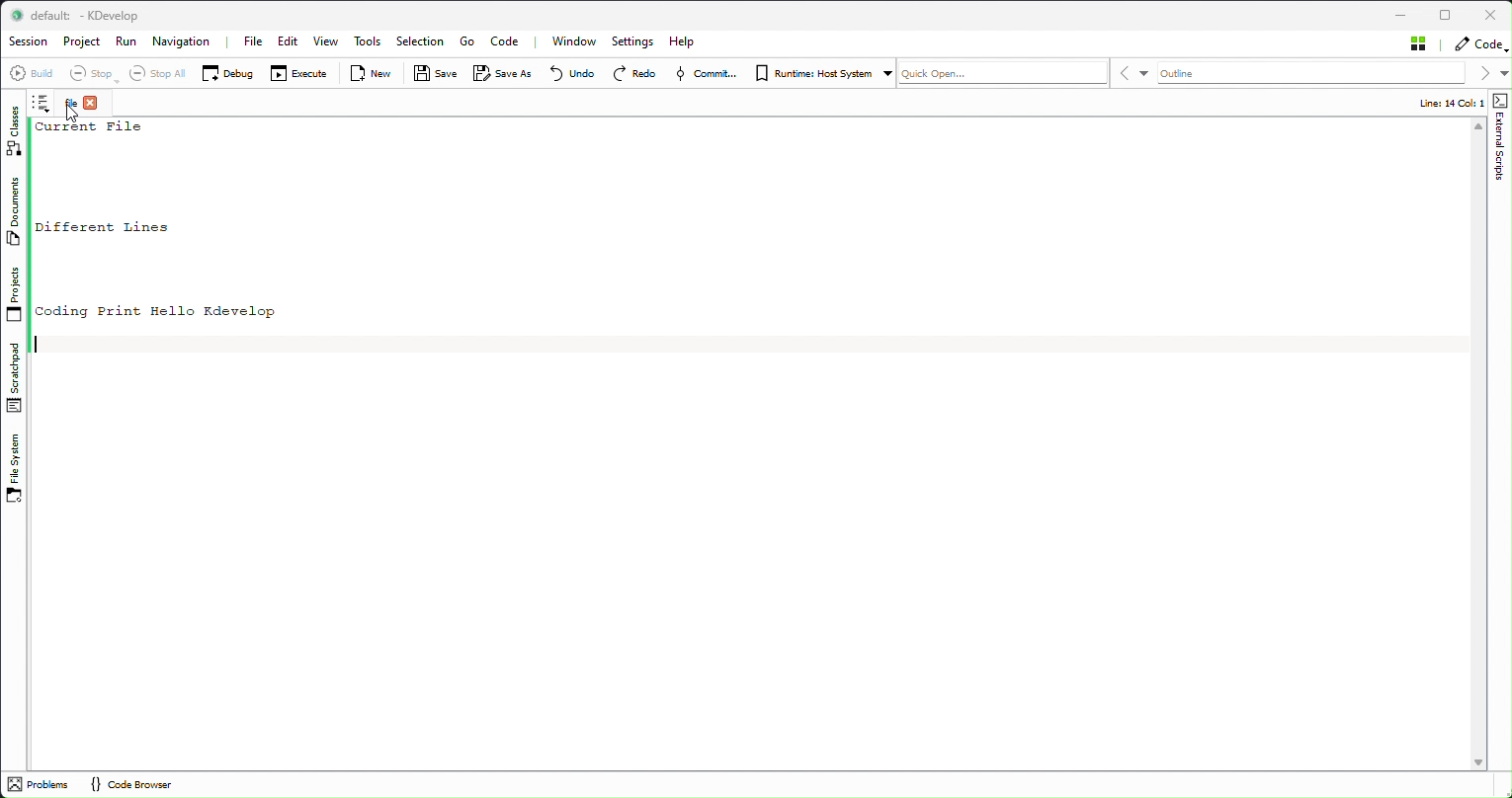  What do you see at coordinates (363, 44) in the screenshot?
I see `Tools` at bounding box center [363, 44].